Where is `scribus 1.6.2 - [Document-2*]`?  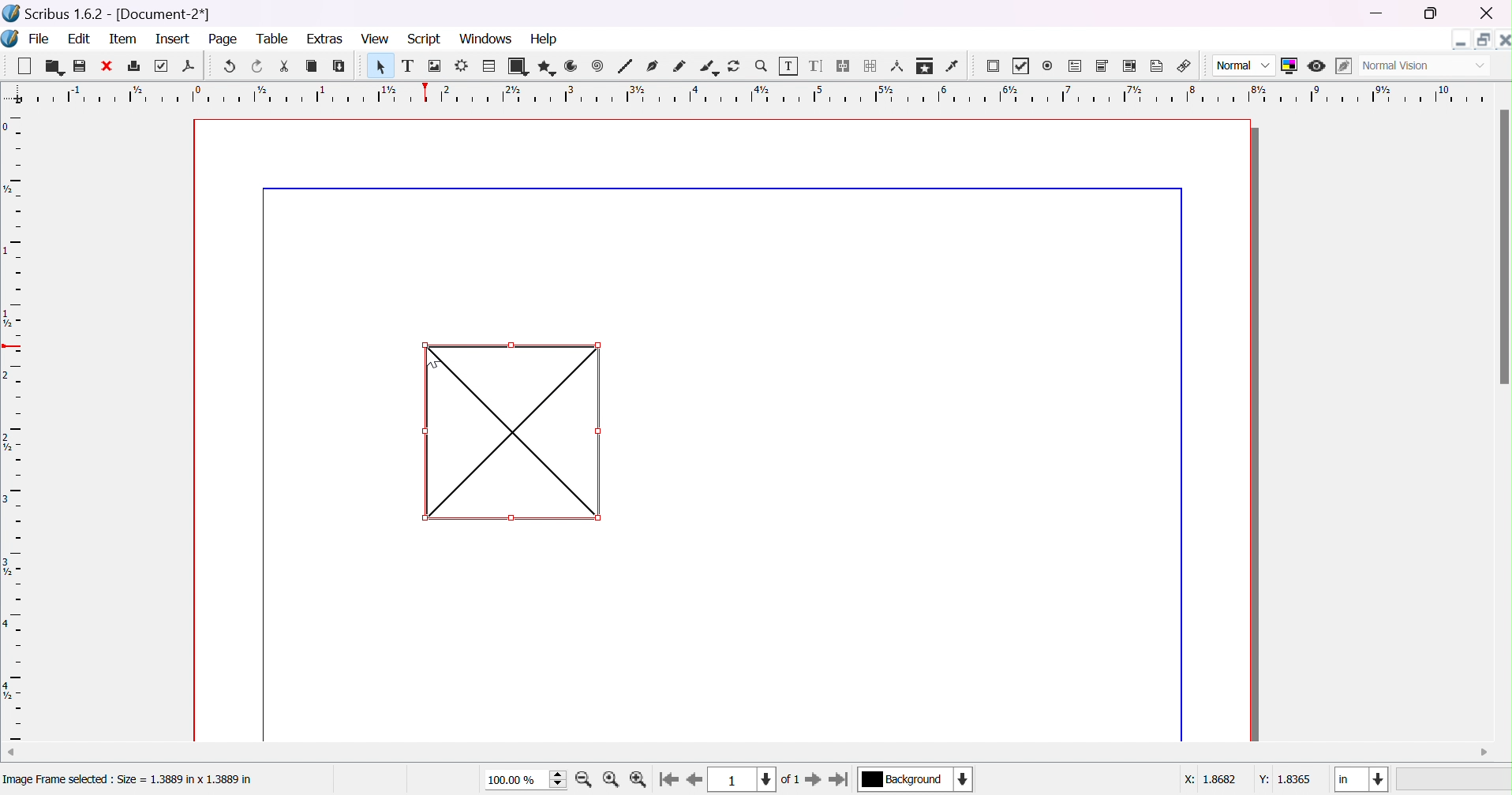
scribus 1.6.2 - [Document-2*] is located at coordinates (108, 14).